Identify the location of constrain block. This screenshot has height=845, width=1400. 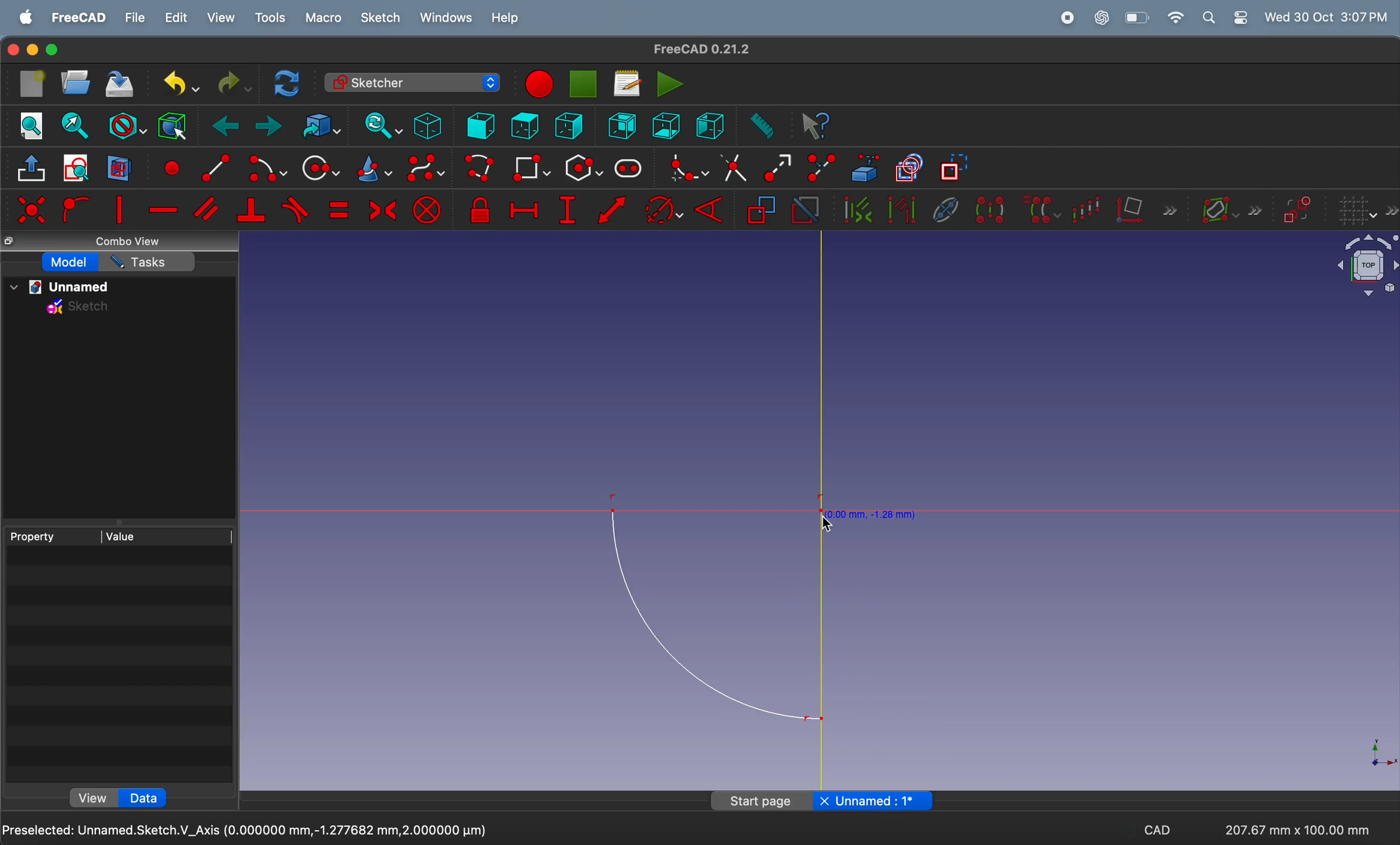
(427, 210).